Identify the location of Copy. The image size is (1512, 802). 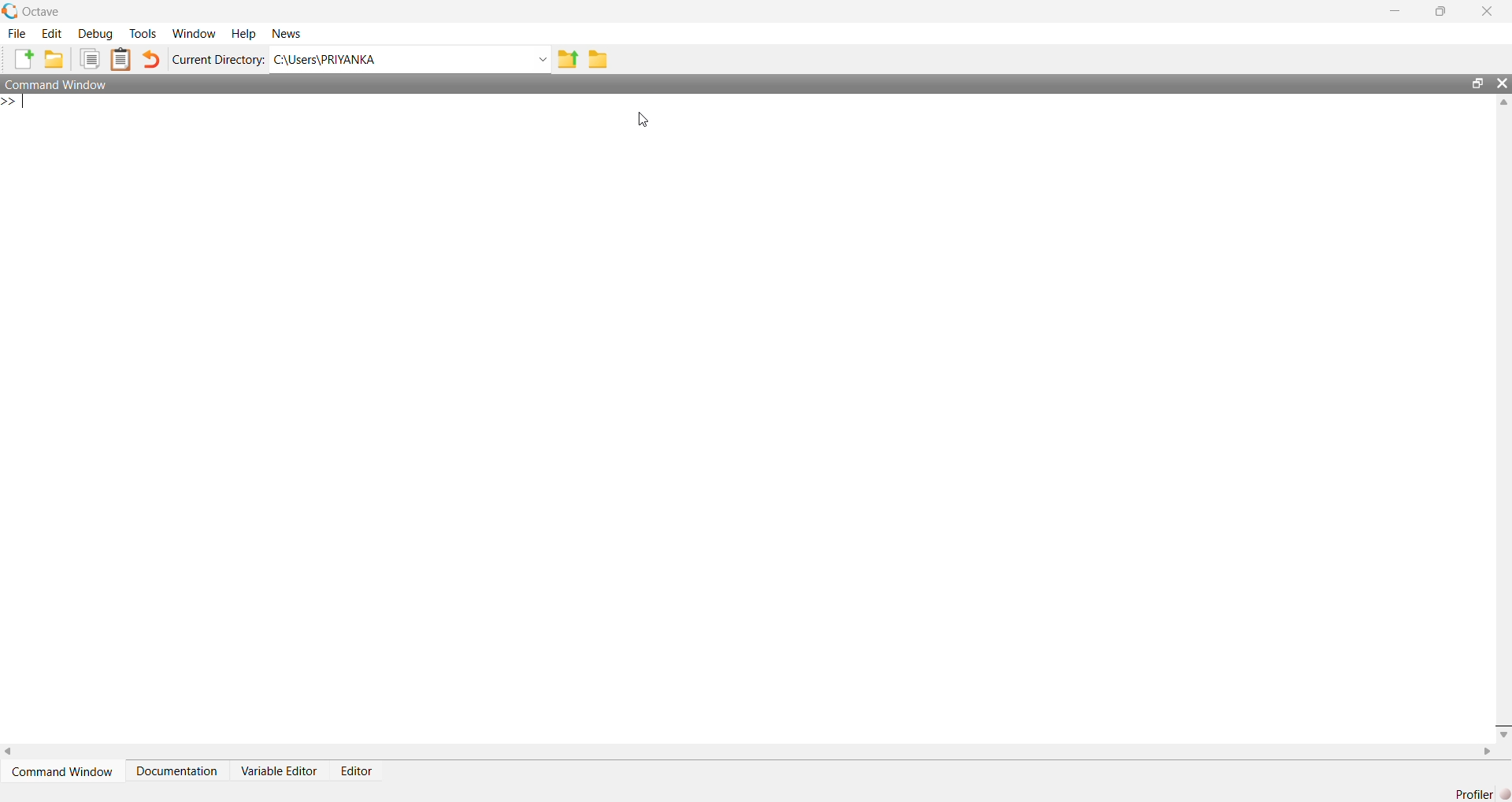
(89, 58).